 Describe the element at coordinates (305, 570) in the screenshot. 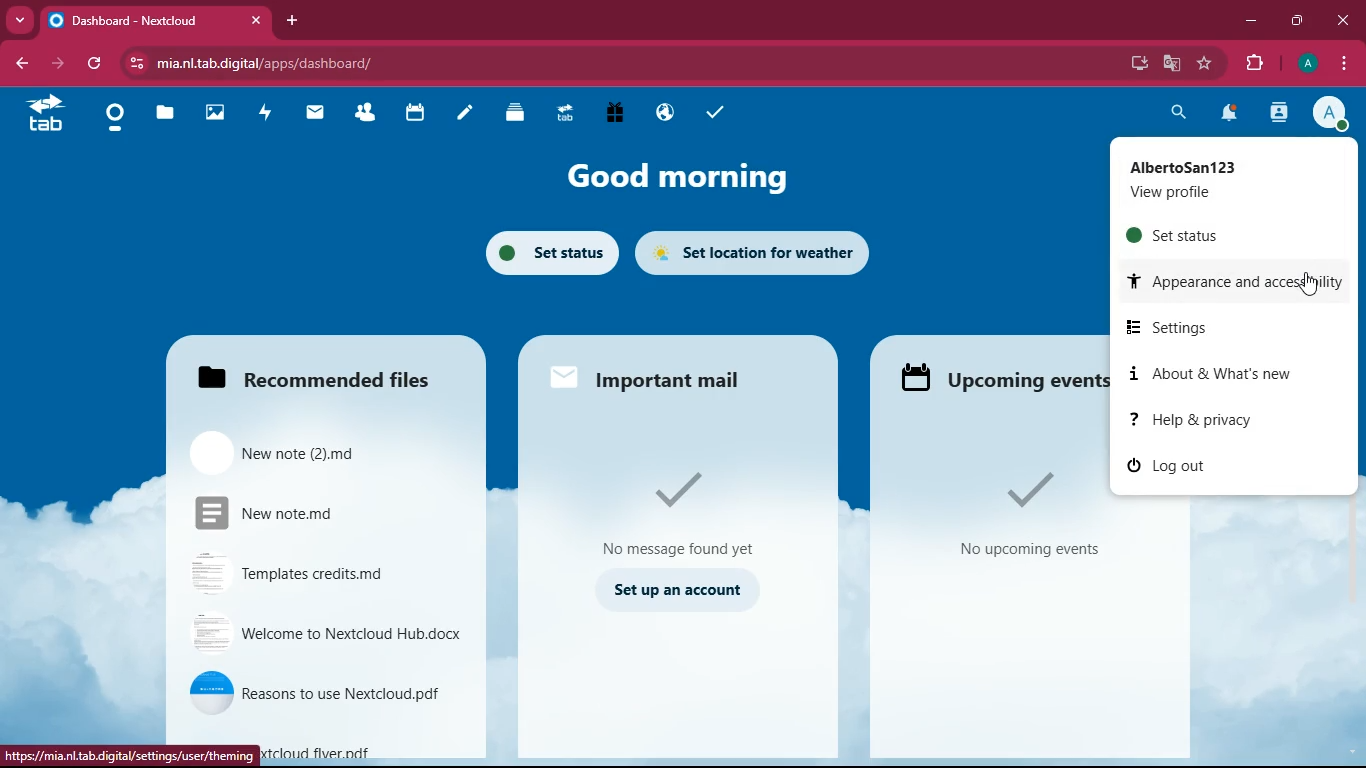

I see `file` at that location.